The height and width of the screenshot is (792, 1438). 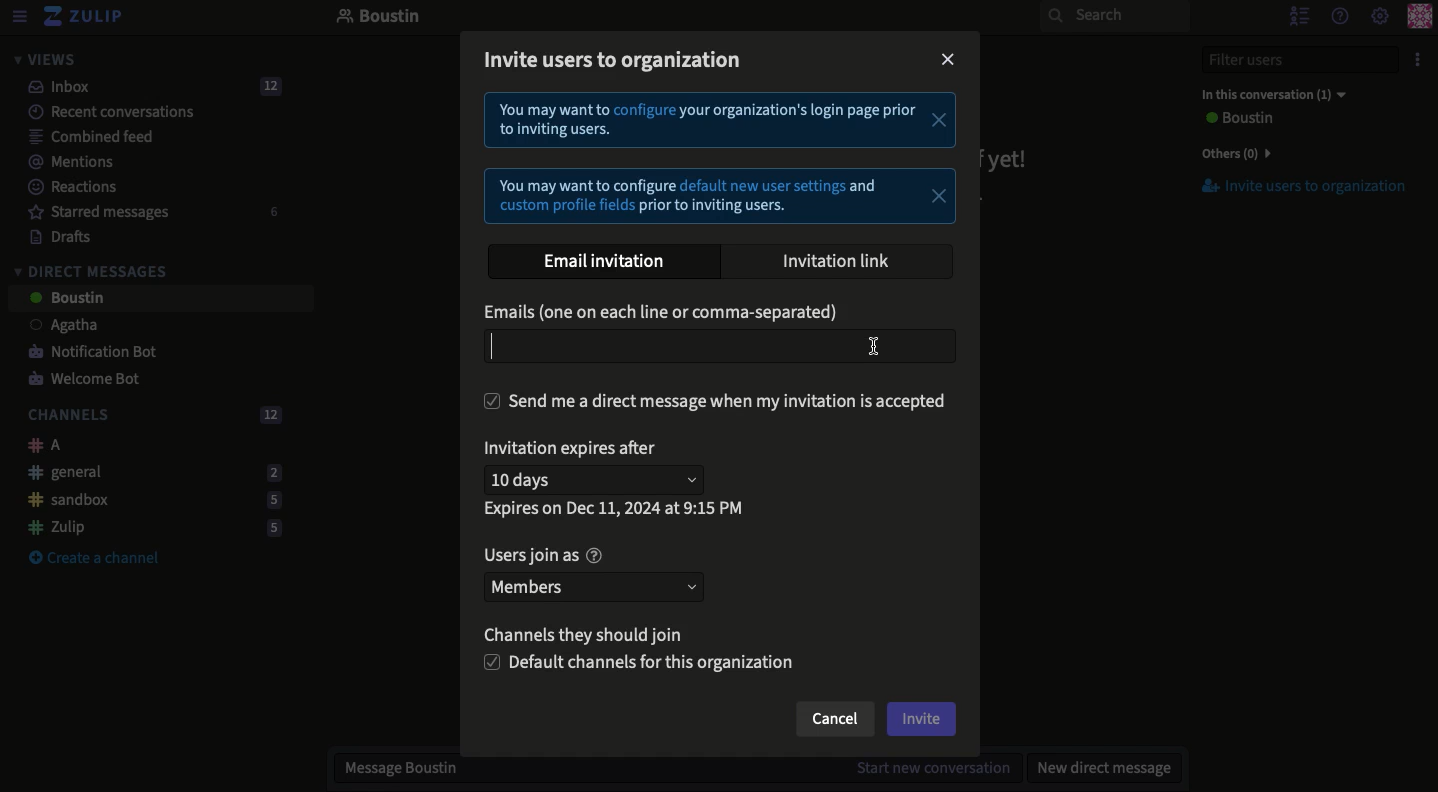 I want to click on User 2, so click(x=65, y=299).